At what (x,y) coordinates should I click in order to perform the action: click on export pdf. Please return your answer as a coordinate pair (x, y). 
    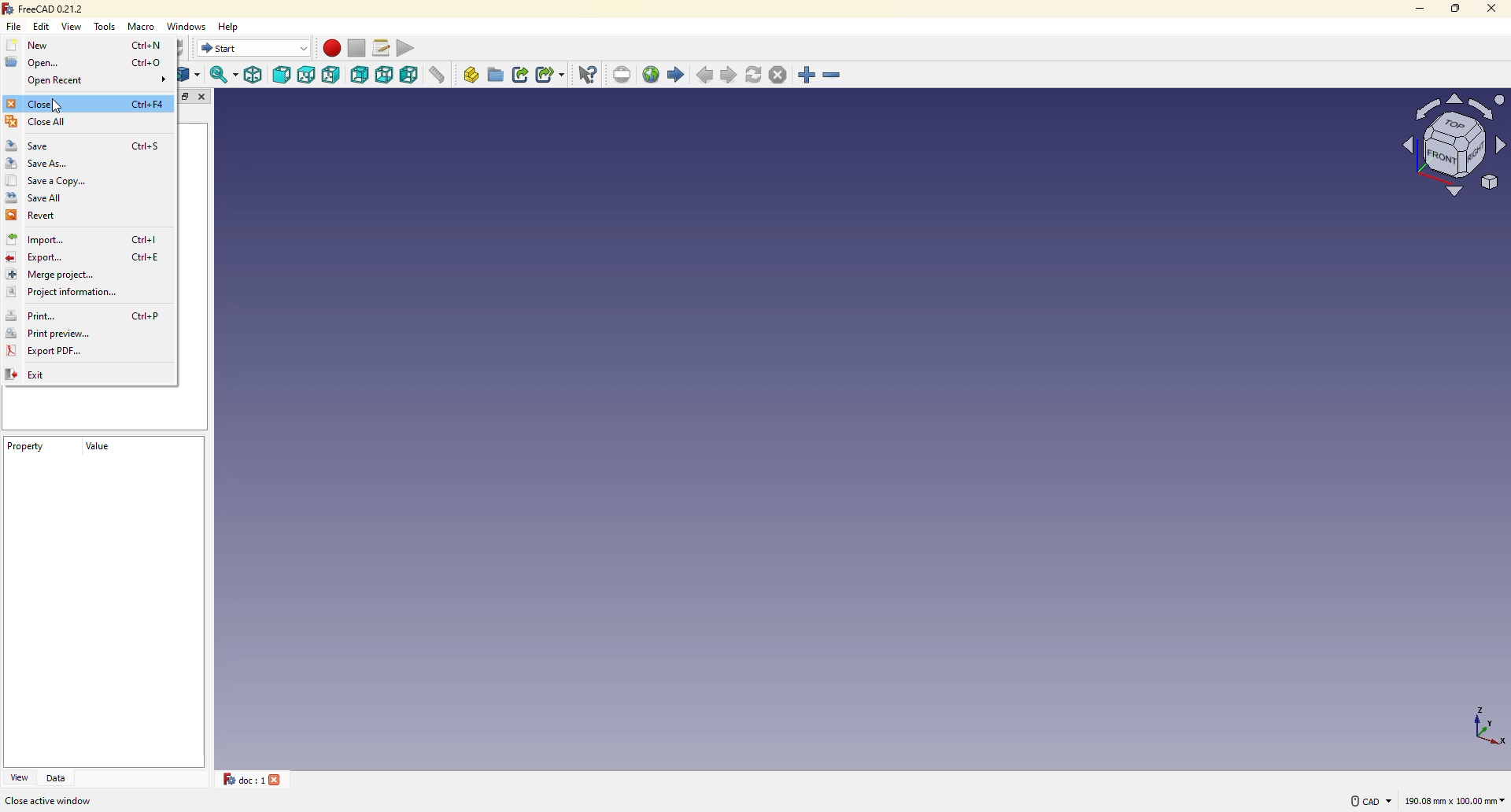
    Looking at the image, I should click on (46, 352).